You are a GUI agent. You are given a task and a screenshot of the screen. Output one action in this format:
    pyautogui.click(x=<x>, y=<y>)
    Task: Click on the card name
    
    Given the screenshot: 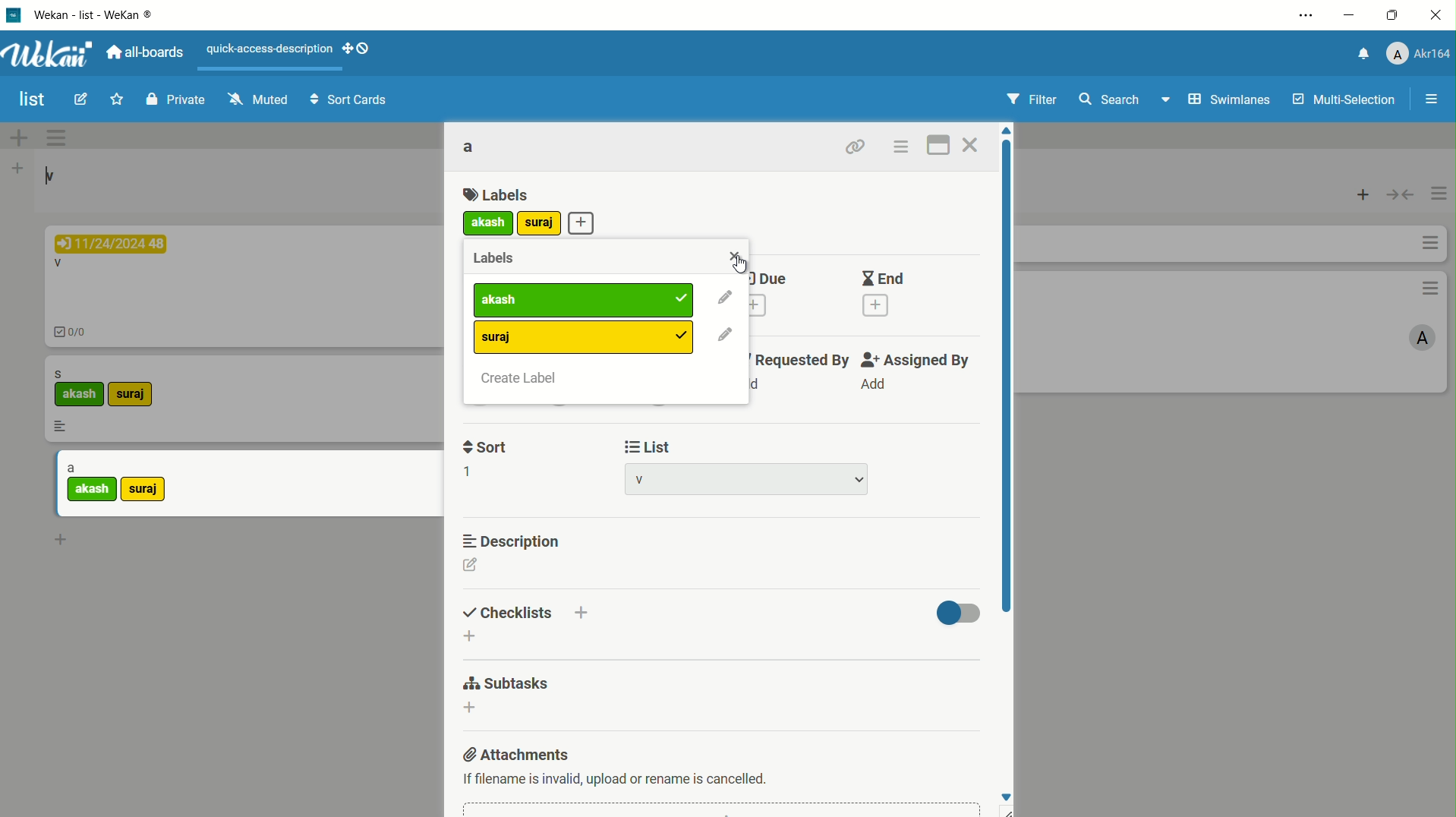 What is the action you would take?
    pyautogui.click(x=470, y=148)
    